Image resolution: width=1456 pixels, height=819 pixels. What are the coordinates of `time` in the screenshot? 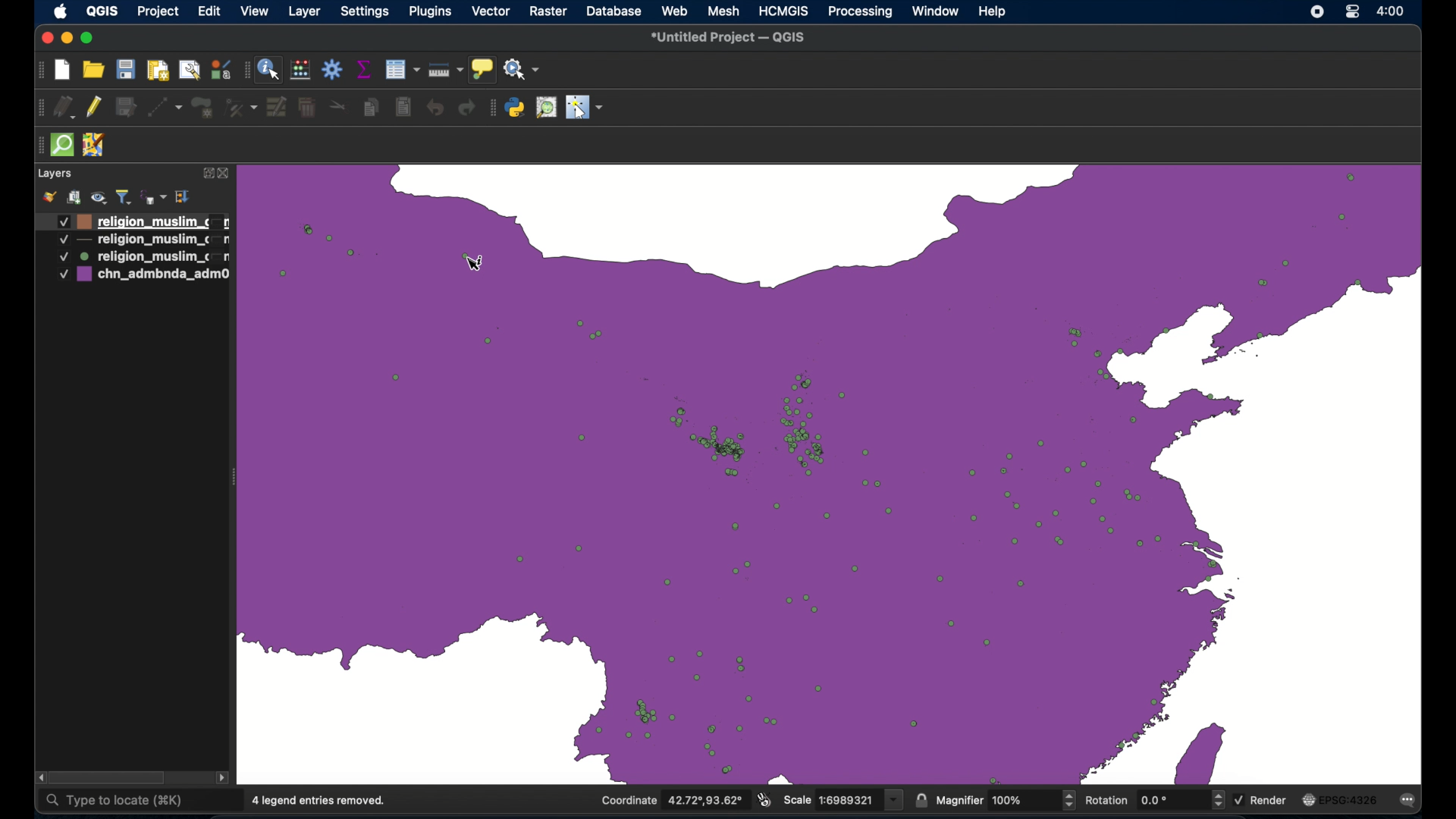 It's located at (1392, 12).